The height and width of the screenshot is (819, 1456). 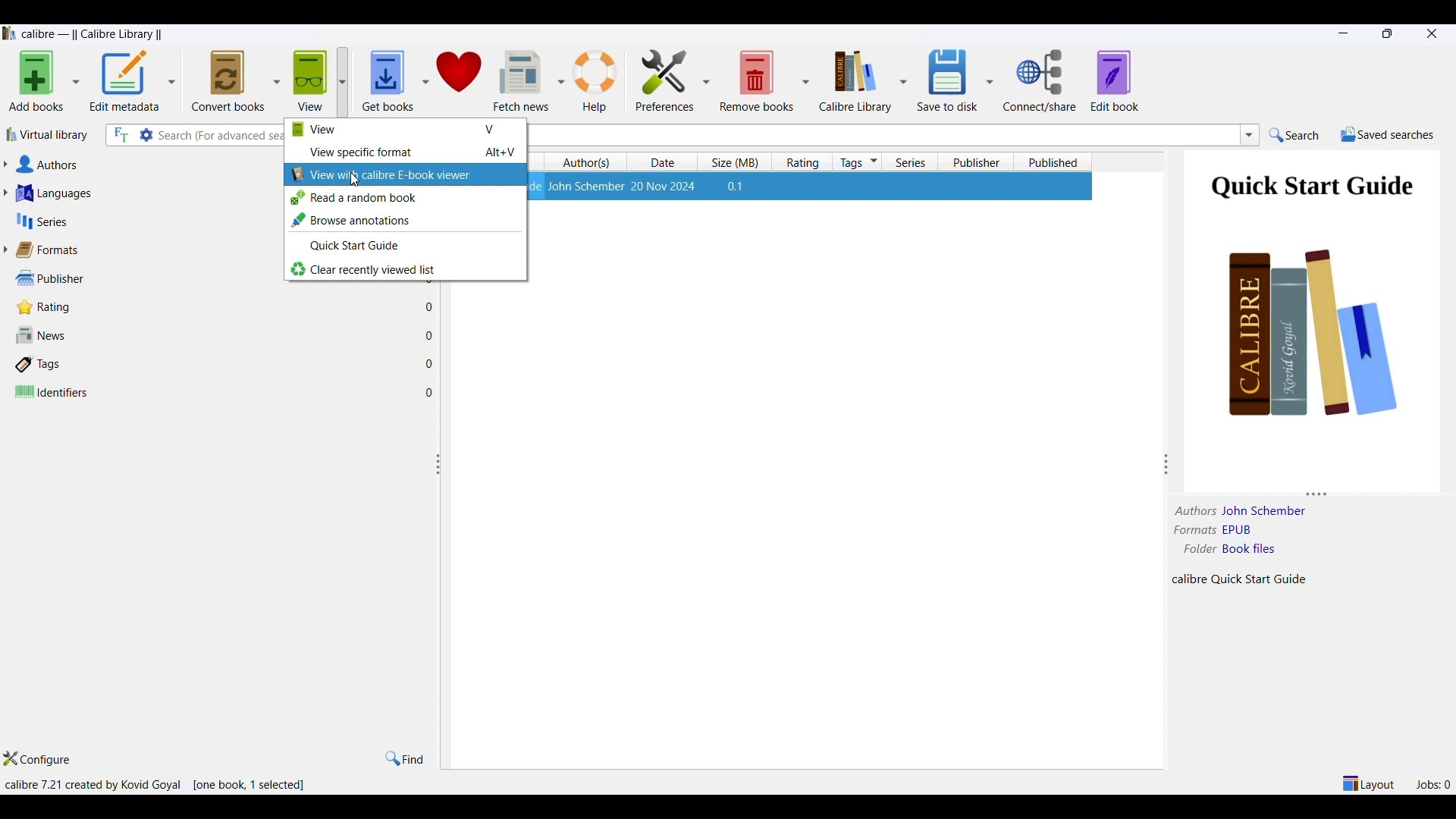 I want to click on search box, so click(x=223, y=134).